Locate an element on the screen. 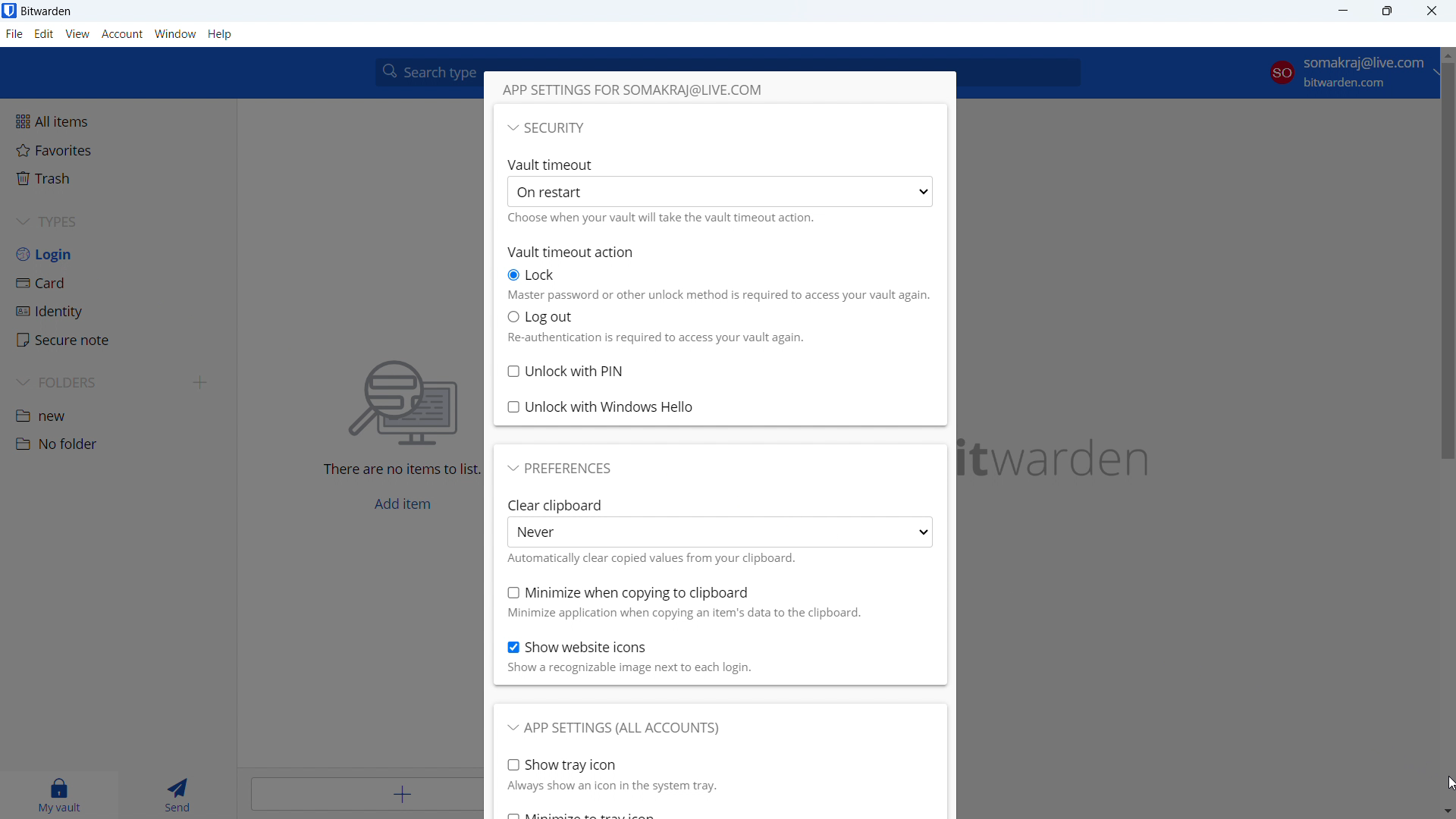  add item is located at coordinates (403, 504).